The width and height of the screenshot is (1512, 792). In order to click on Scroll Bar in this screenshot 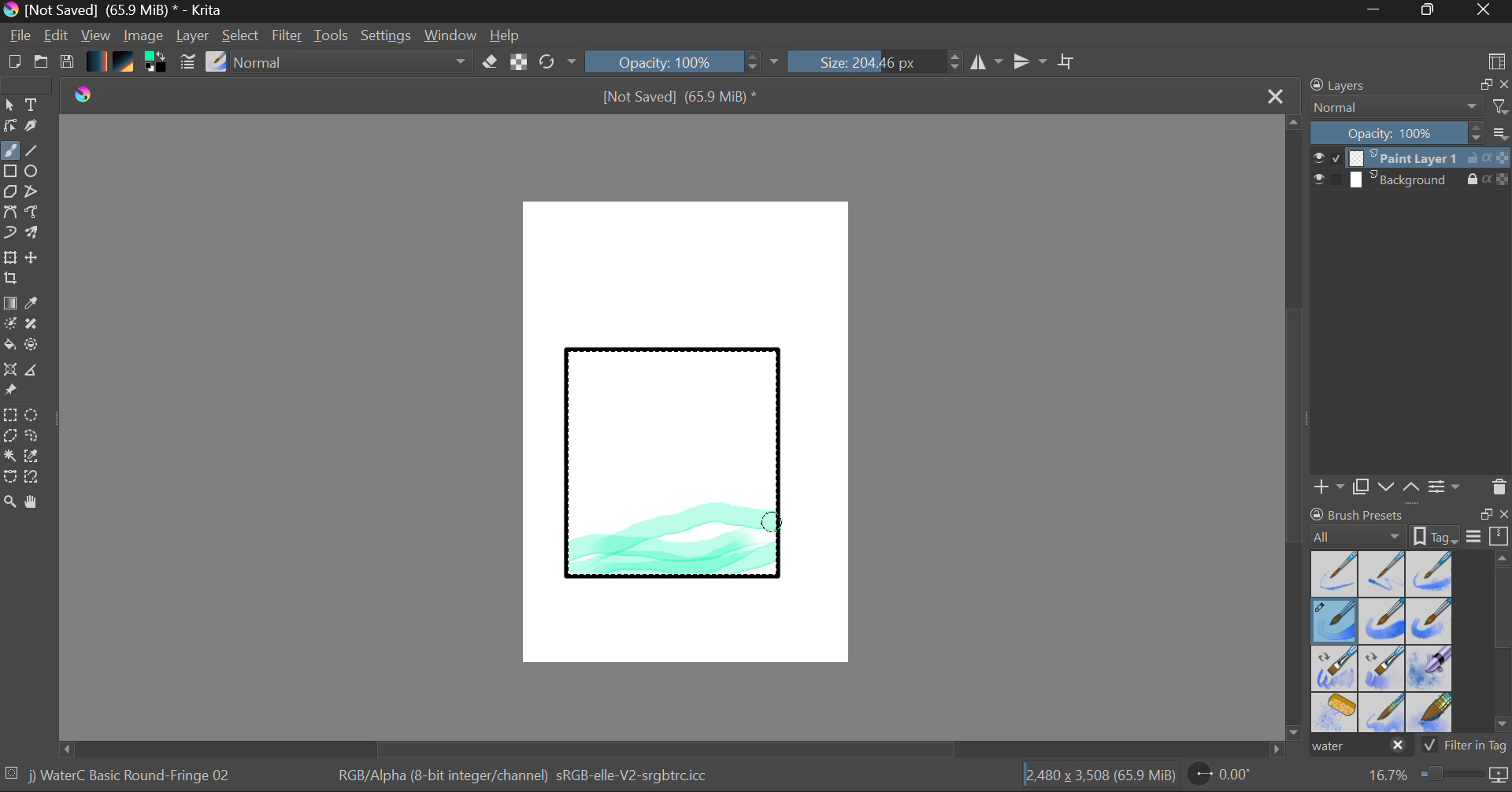, I will do `click(1295, 429)`.